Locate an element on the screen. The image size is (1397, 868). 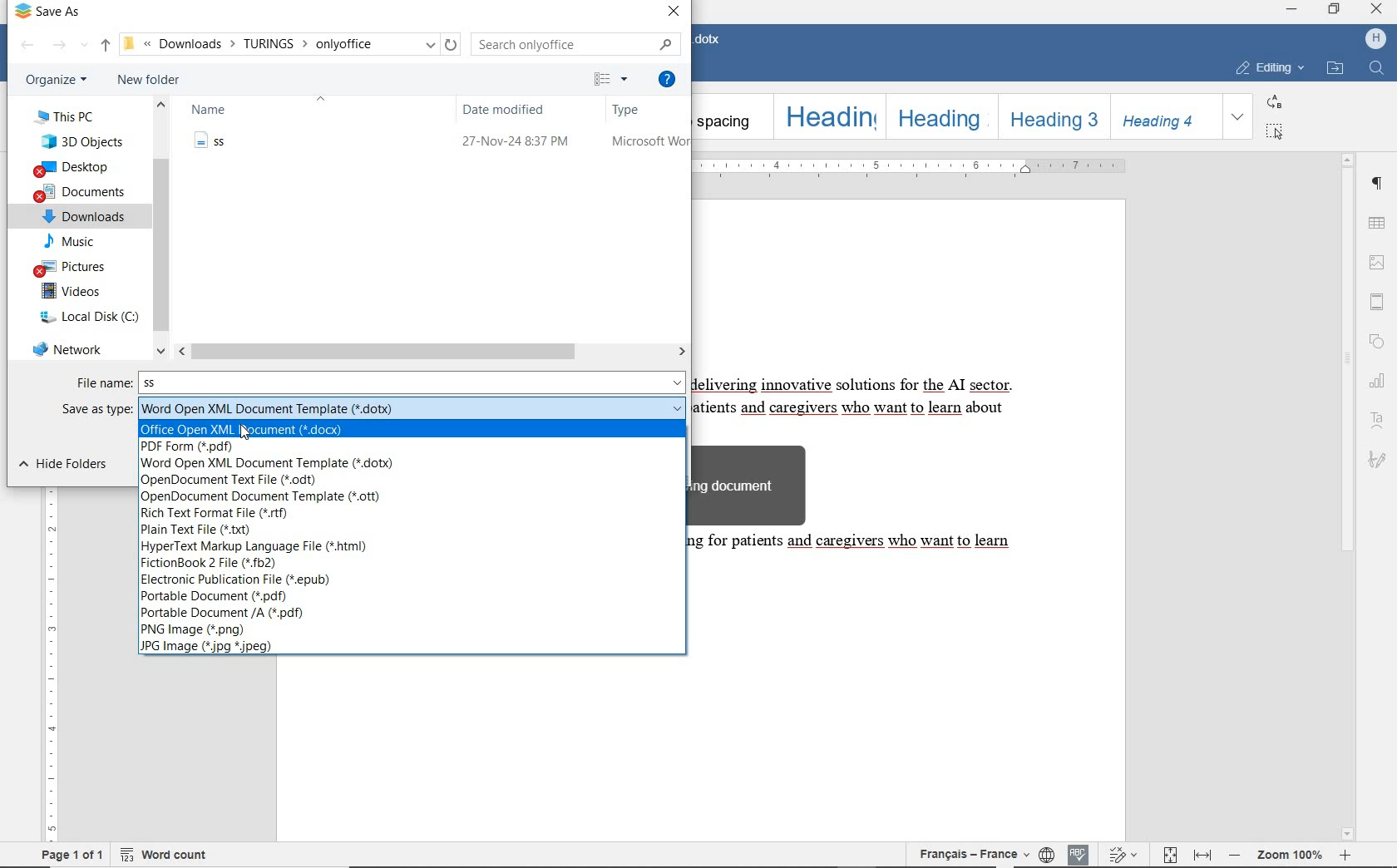
3D OBJECTS is located at coordinates (85, 141).